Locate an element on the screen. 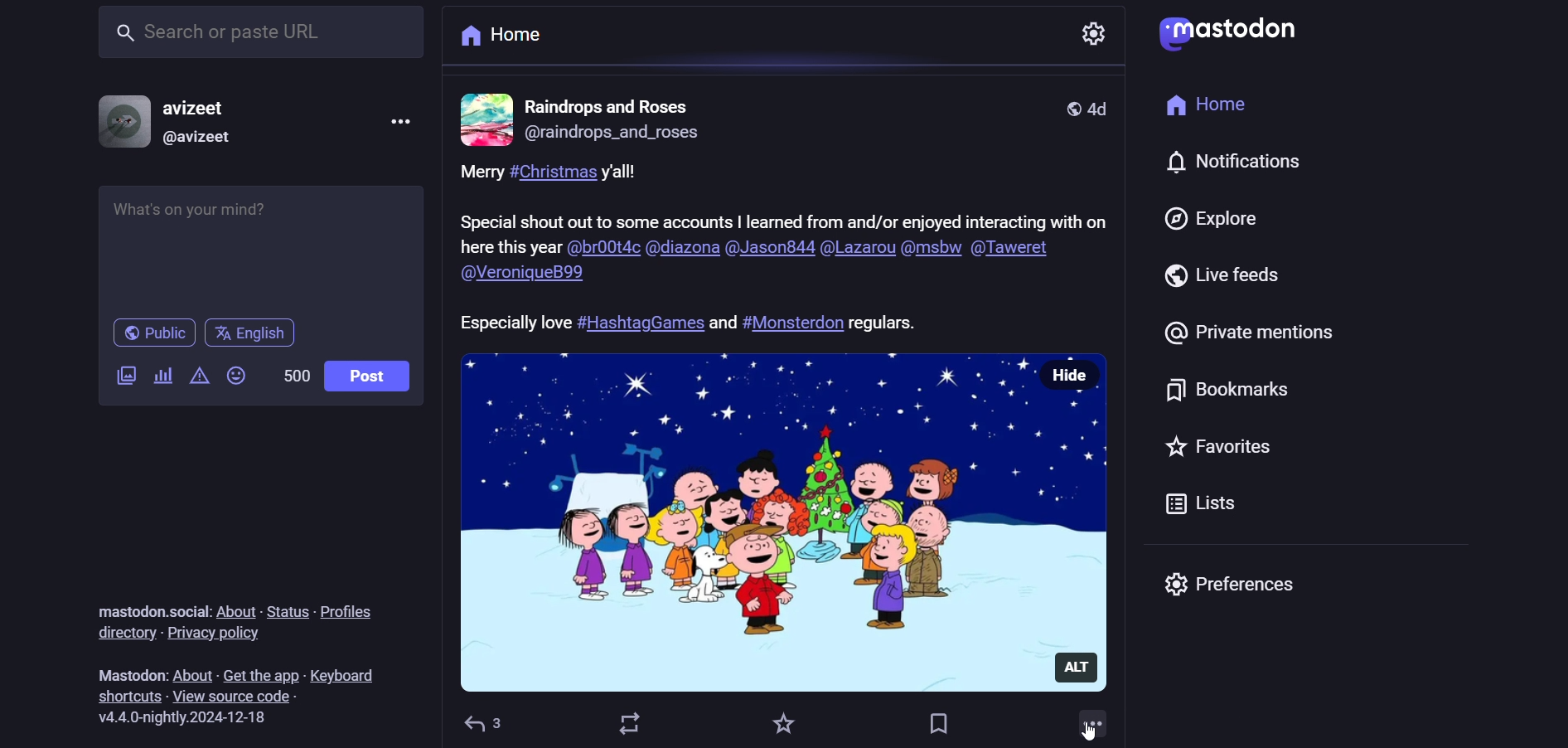  @br00t4c is located at coordinates (602, 248).